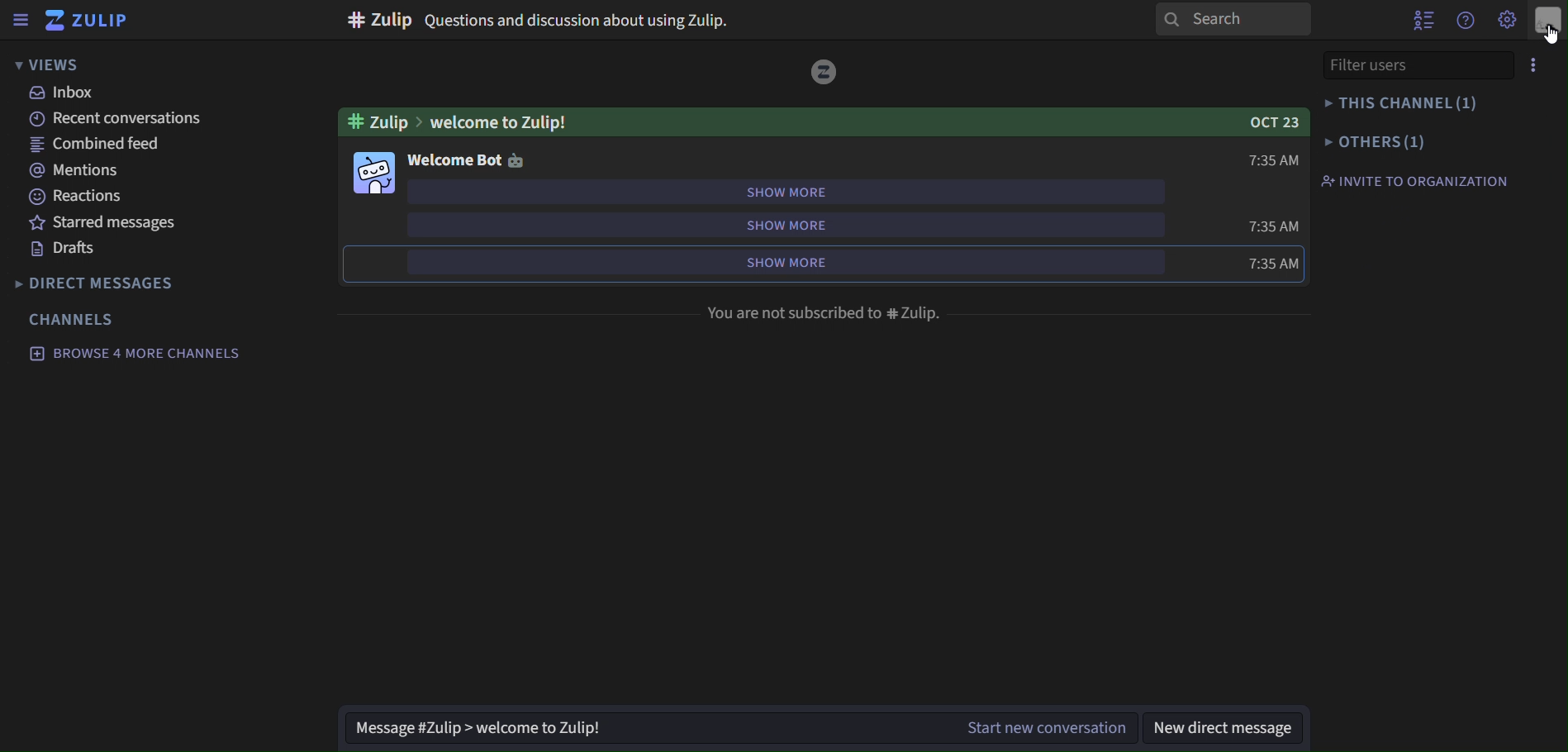  I want to click on show more, so click(787, 265).